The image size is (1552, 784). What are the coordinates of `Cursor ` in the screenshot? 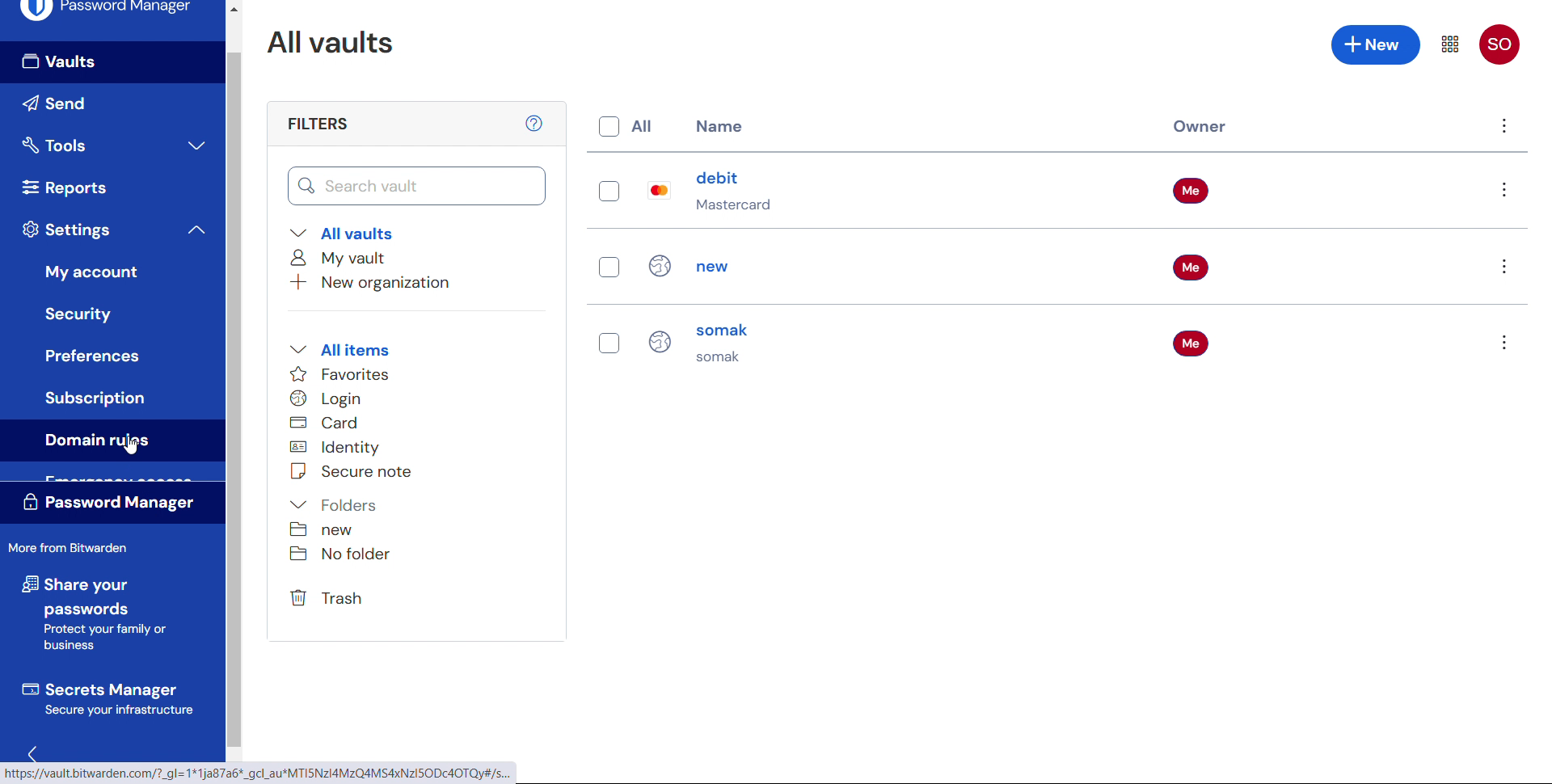 It's located at (131, 446).